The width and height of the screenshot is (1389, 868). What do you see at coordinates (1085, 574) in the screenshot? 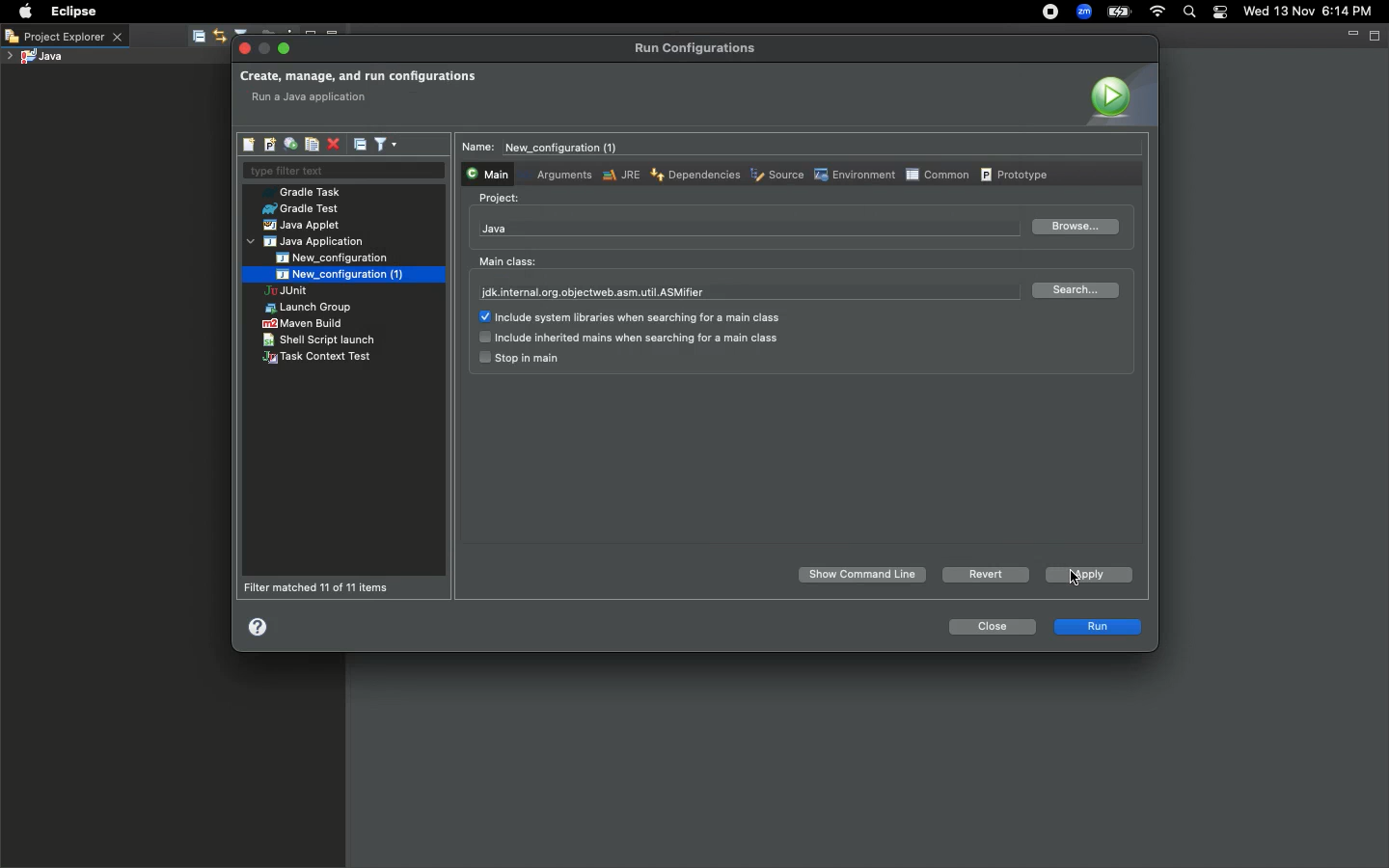
I see `Apply` at bounding box center [1085, 574].